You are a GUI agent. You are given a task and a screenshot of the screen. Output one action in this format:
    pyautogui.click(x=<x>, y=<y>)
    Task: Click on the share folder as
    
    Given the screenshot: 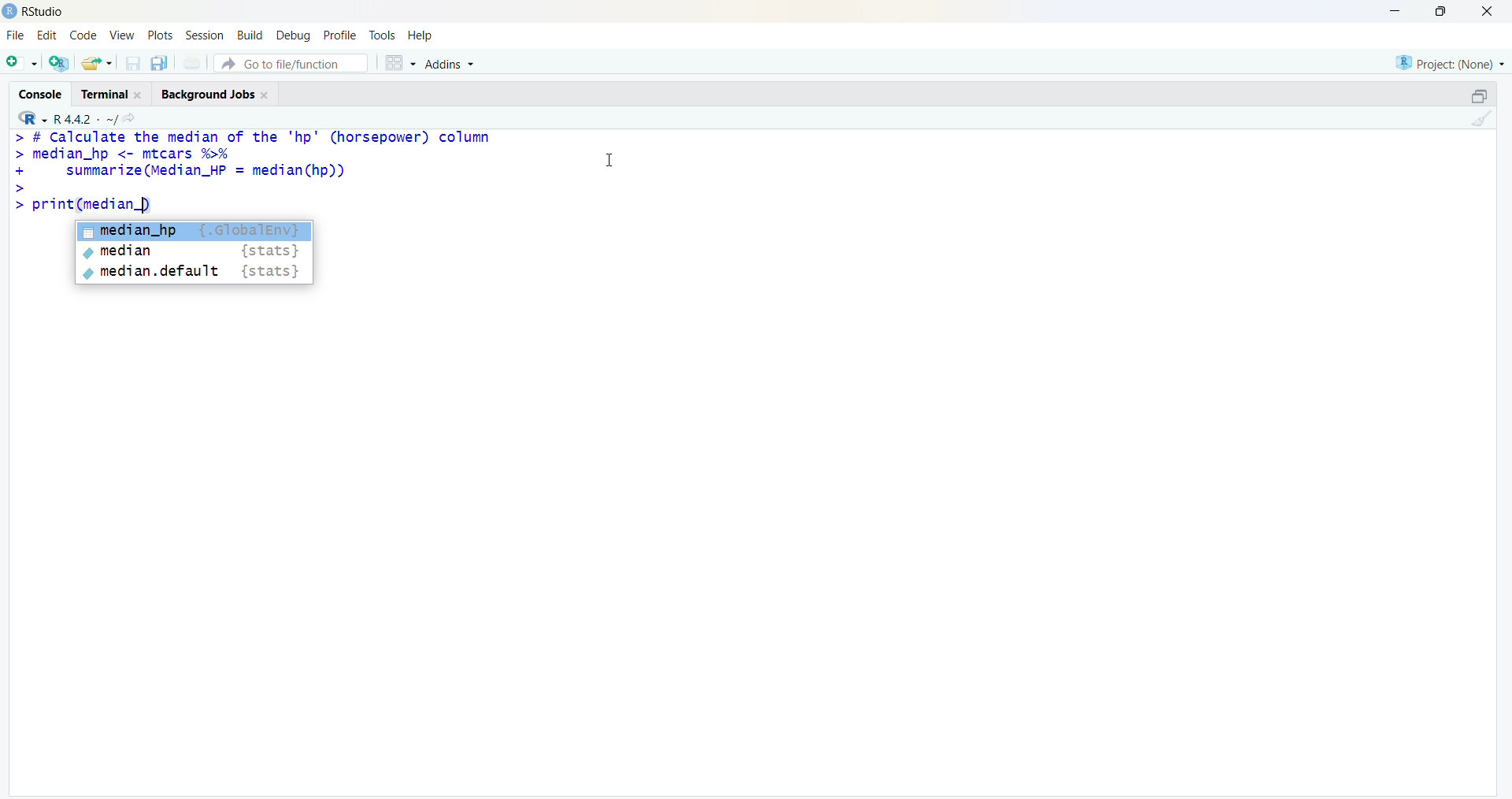 What is the action you would take?
    pyautogui.click(x=98, y=63)
    